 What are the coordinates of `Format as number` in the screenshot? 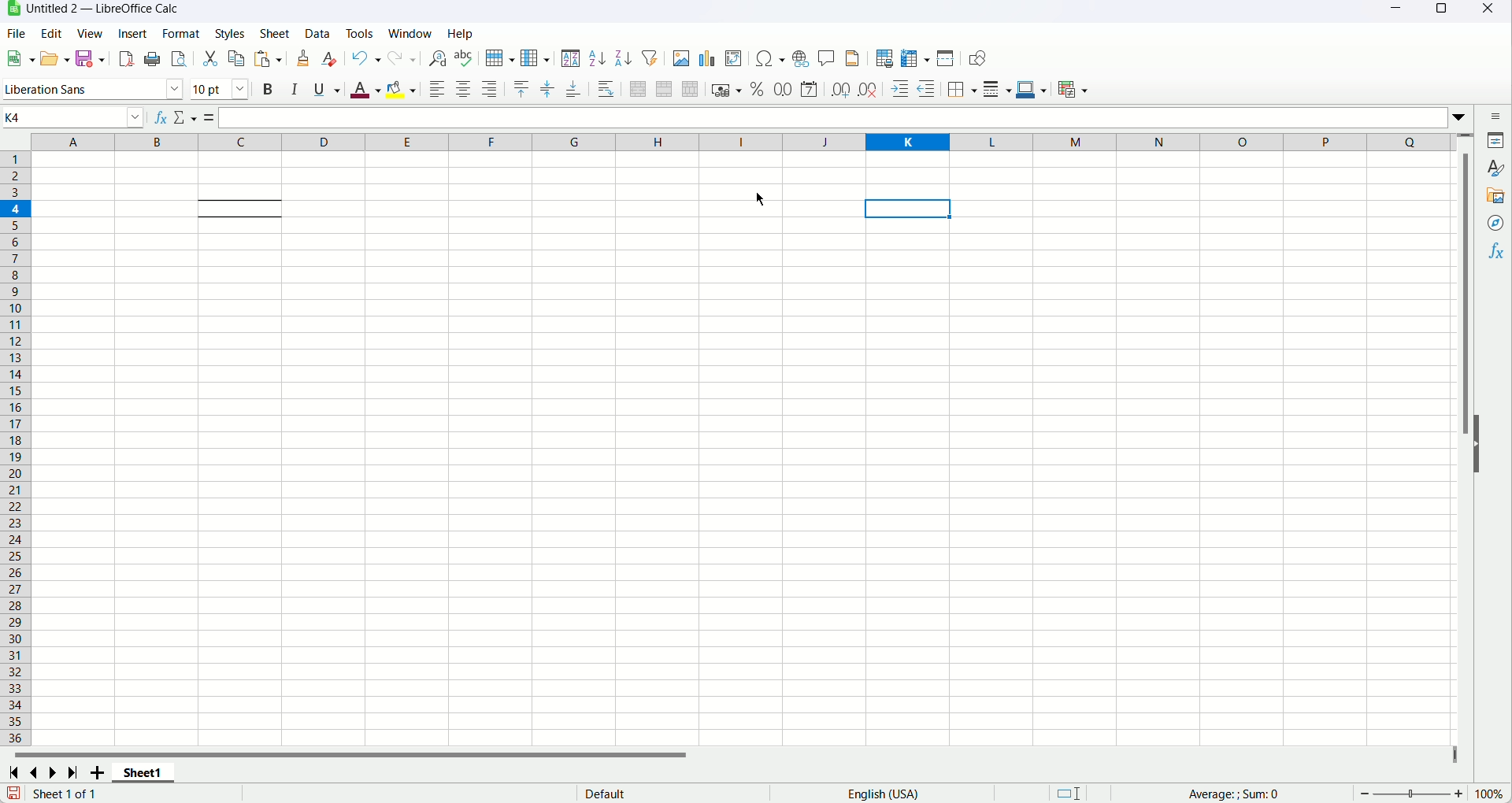 It's located at (783, 88).